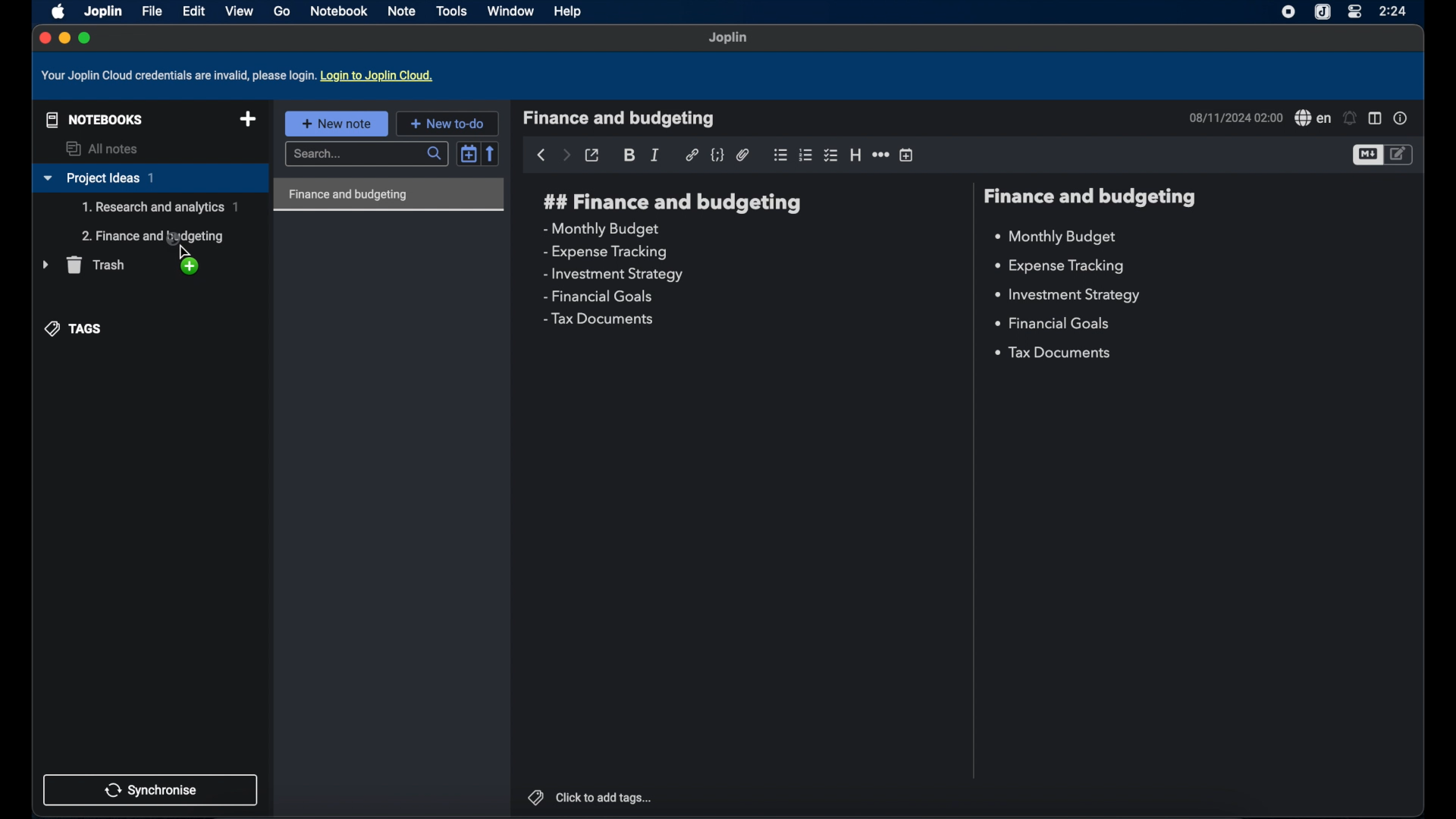  Describe the element at coordinates (569, 13) in the screenshot. I see `help` at that location.